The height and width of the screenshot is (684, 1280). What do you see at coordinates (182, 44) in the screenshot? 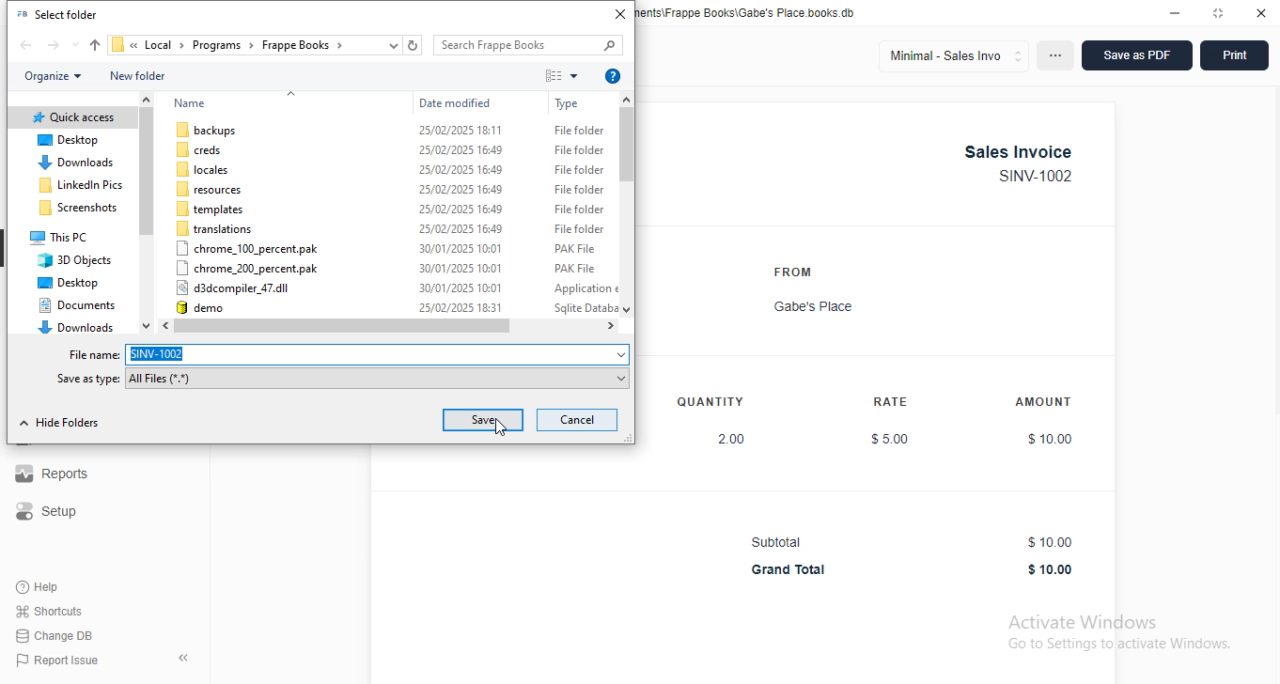
I see `drop down` at bounding box center [182, 44].